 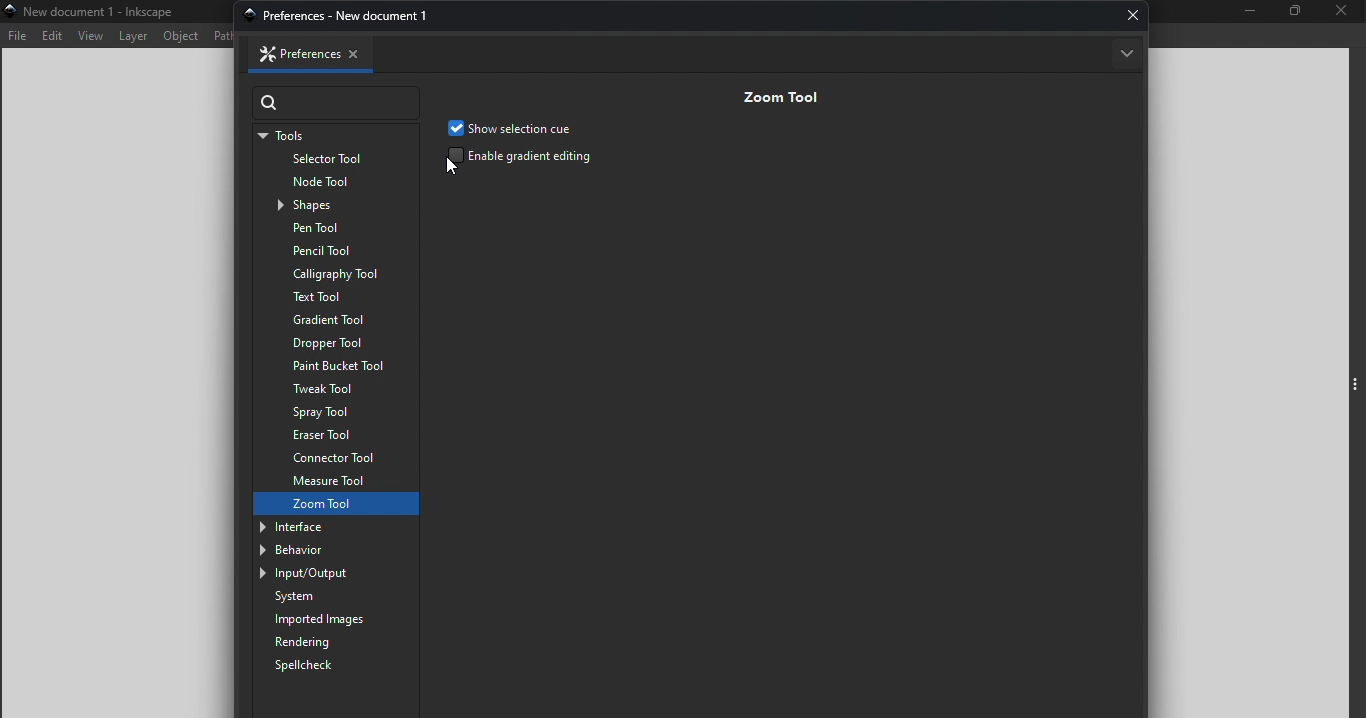 I want to click on Pen tool, so click(x=306, y=226).